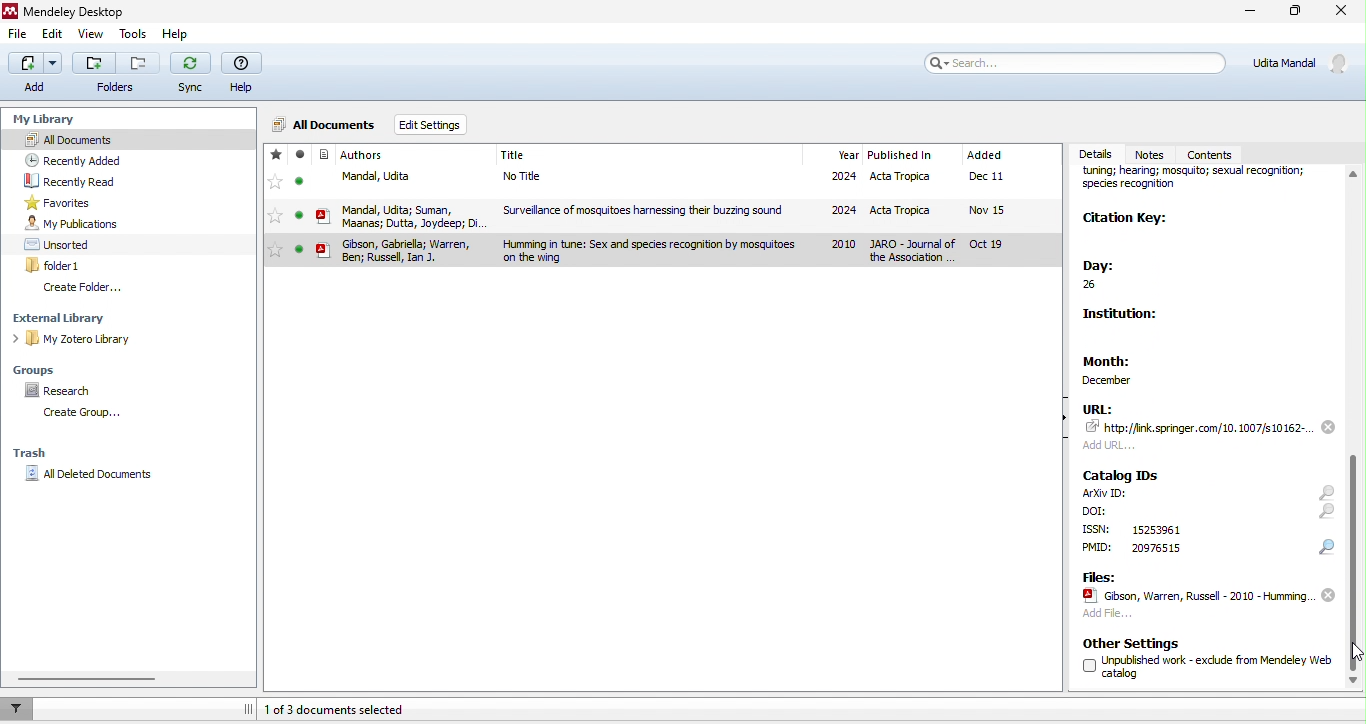 The height and width of the screenshot is (724, 1366). Describe the element at coordinates (514, 156) in the screenshot. I see `journal title` at that location.